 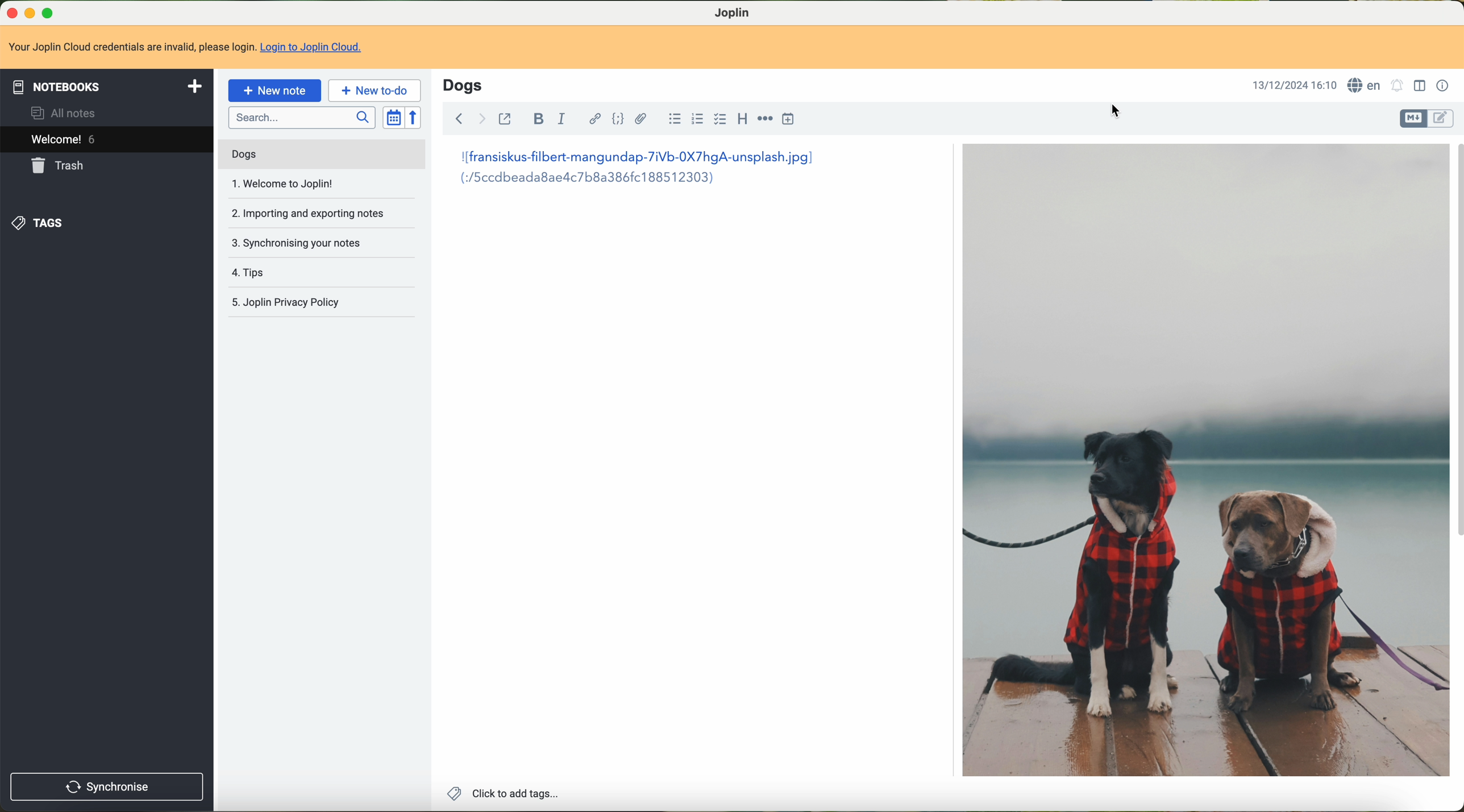 What do you see at coordinates (562, 120) in the screenshot?
I see `italic` at bounding box center [562, 120].